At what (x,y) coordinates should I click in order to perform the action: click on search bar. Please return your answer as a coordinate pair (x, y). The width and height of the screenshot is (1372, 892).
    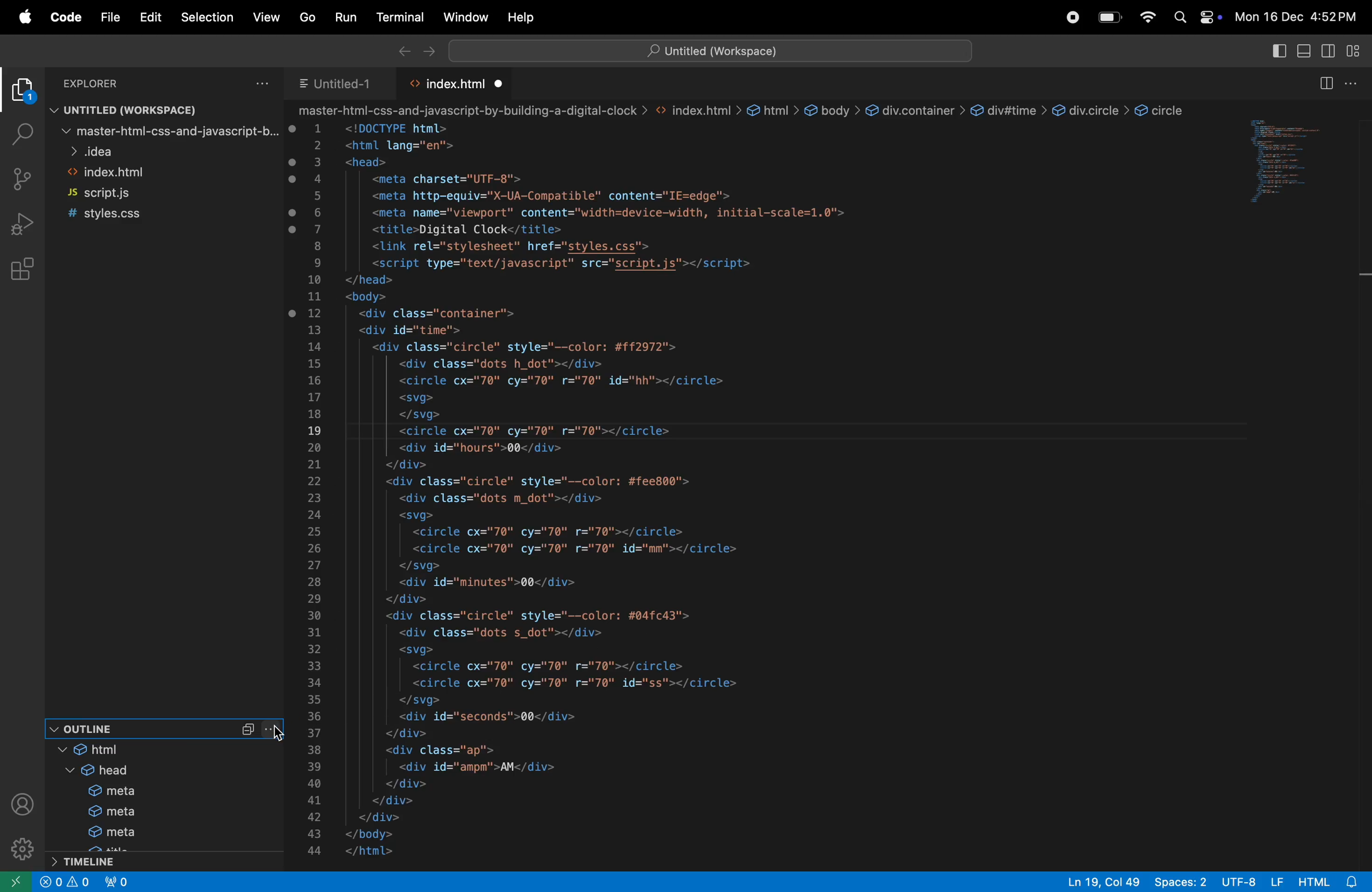
    Looking at the image, I should click on (715, 50).